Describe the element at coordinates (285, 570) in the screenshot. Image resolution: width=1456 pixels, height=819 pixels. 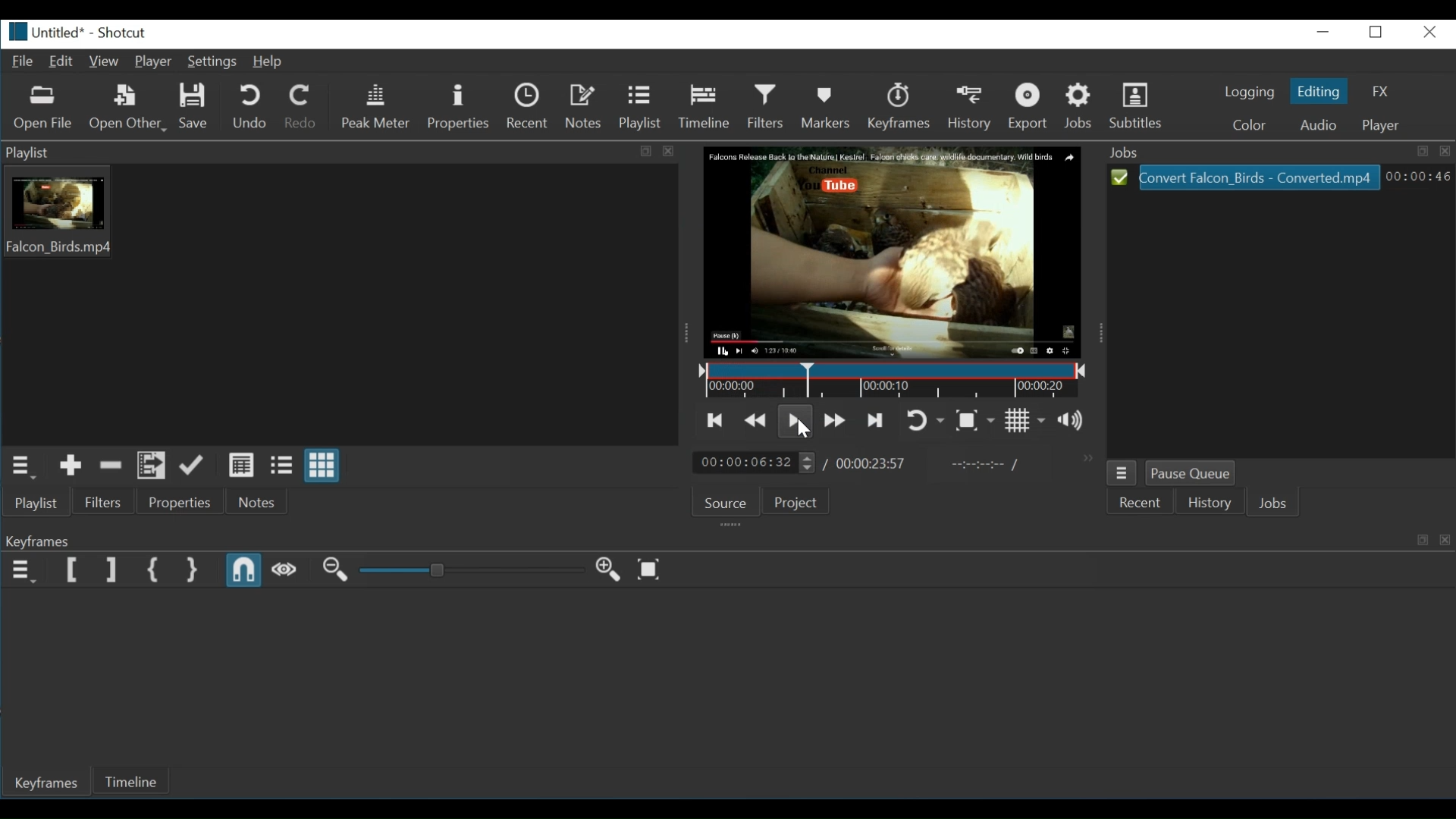
I see `Scrub while dragging` at that location.